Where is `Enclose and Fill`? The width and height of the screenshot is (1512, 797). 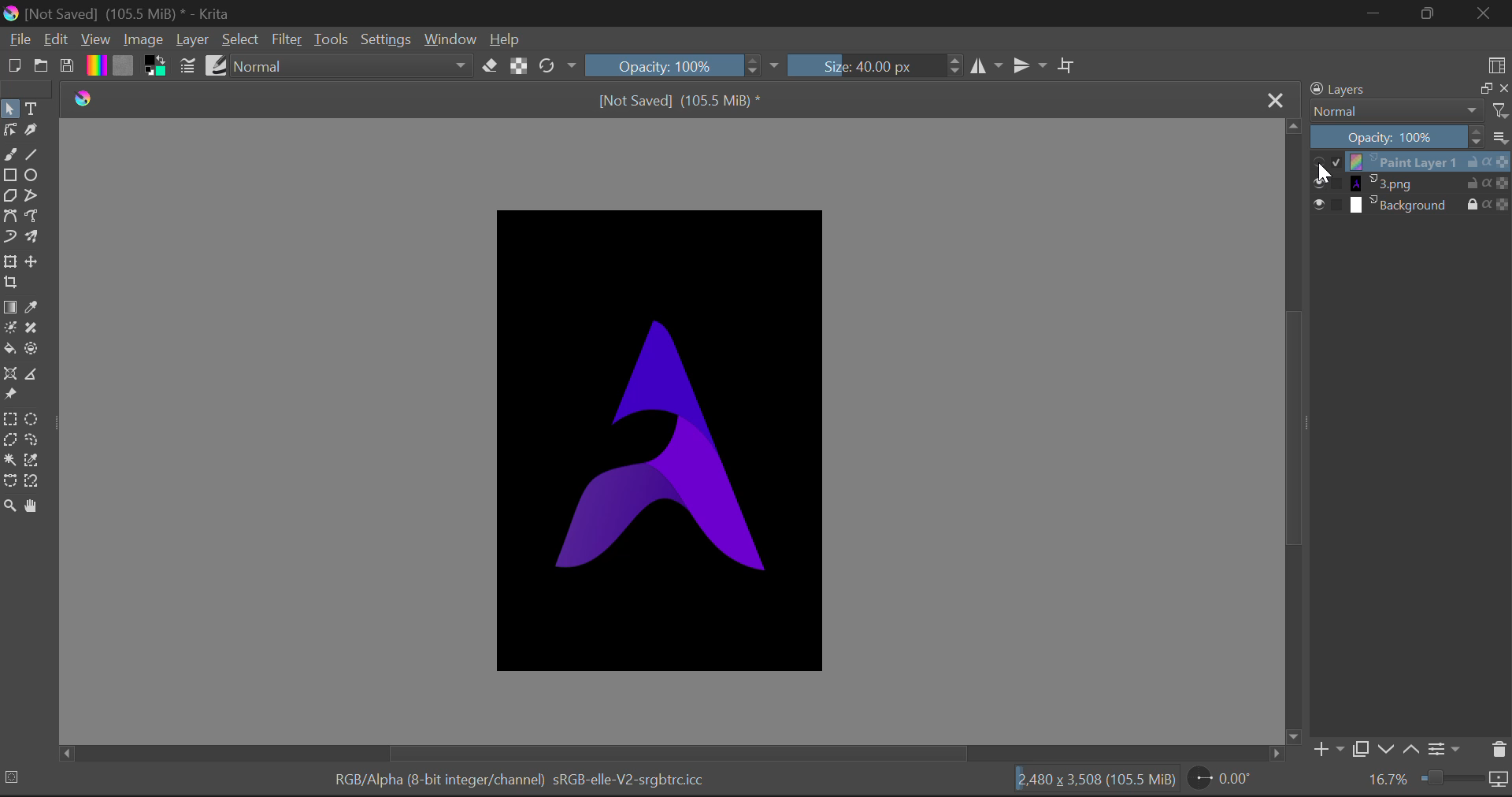
Enclose and Fill is located at coordinates (31, 348).